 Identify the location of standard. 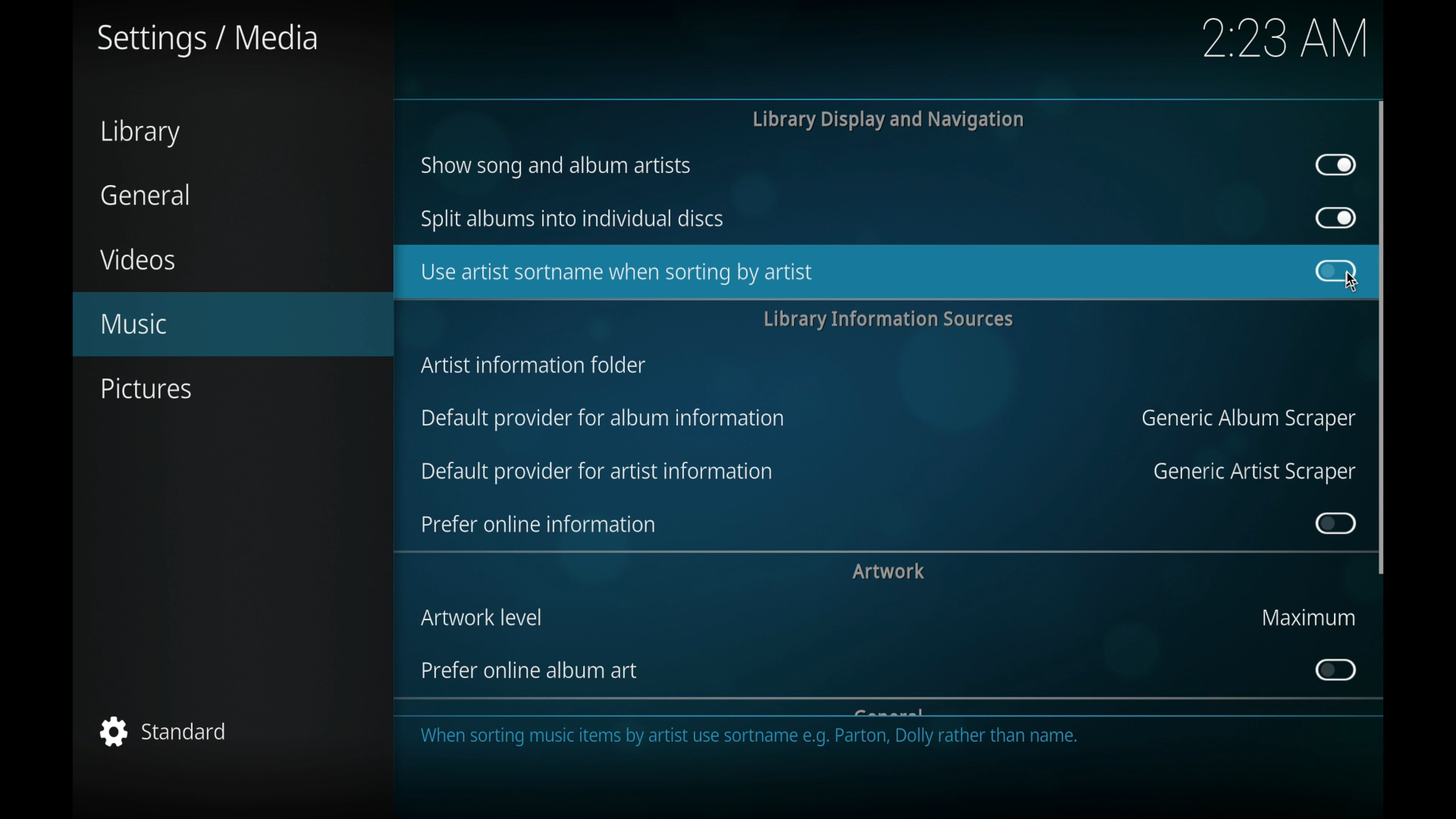
(163, 731).